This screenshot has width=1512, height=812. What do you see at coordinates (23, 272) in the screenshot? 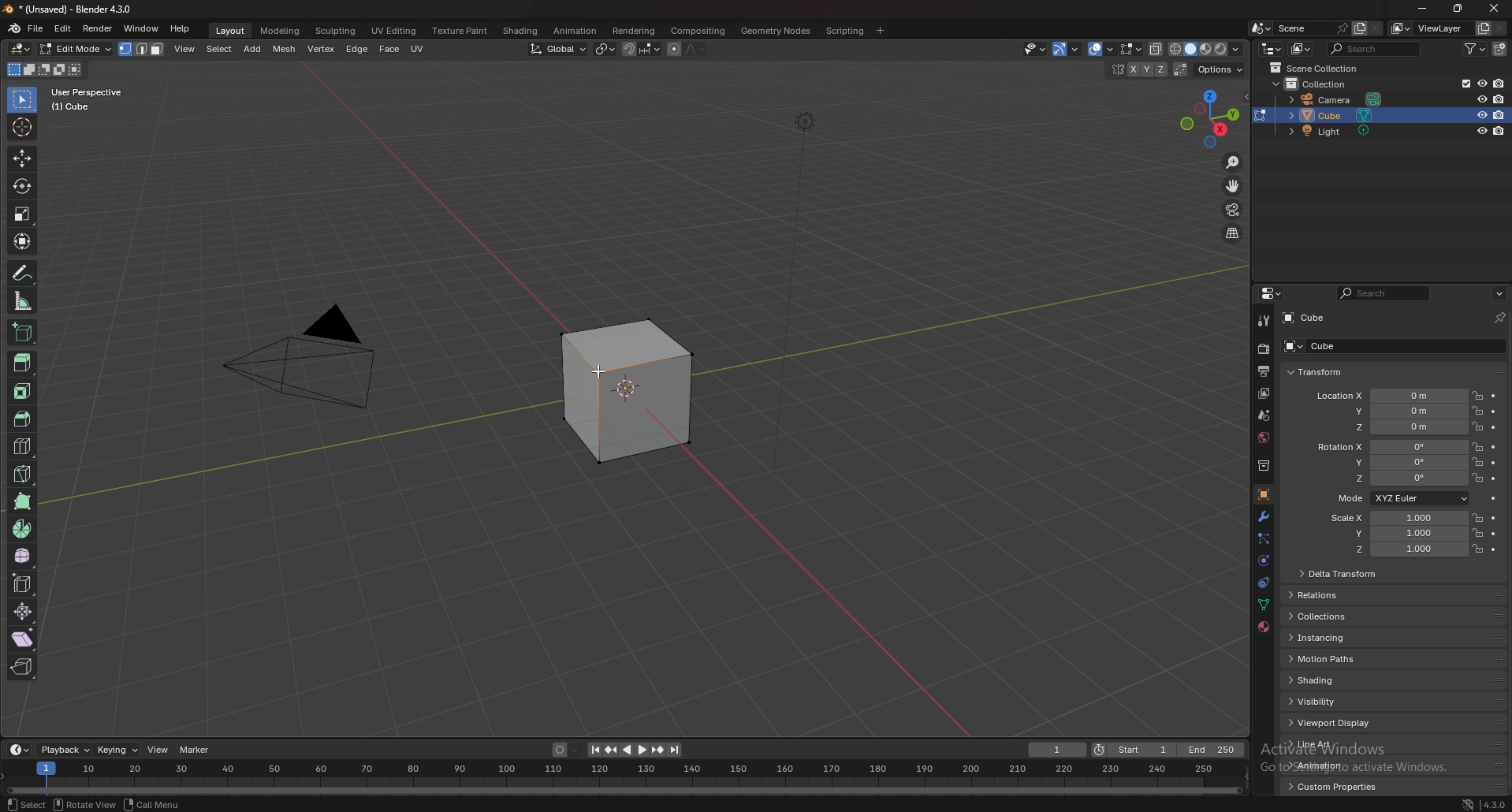
I see `annotate` at bounding box center [23, 272].